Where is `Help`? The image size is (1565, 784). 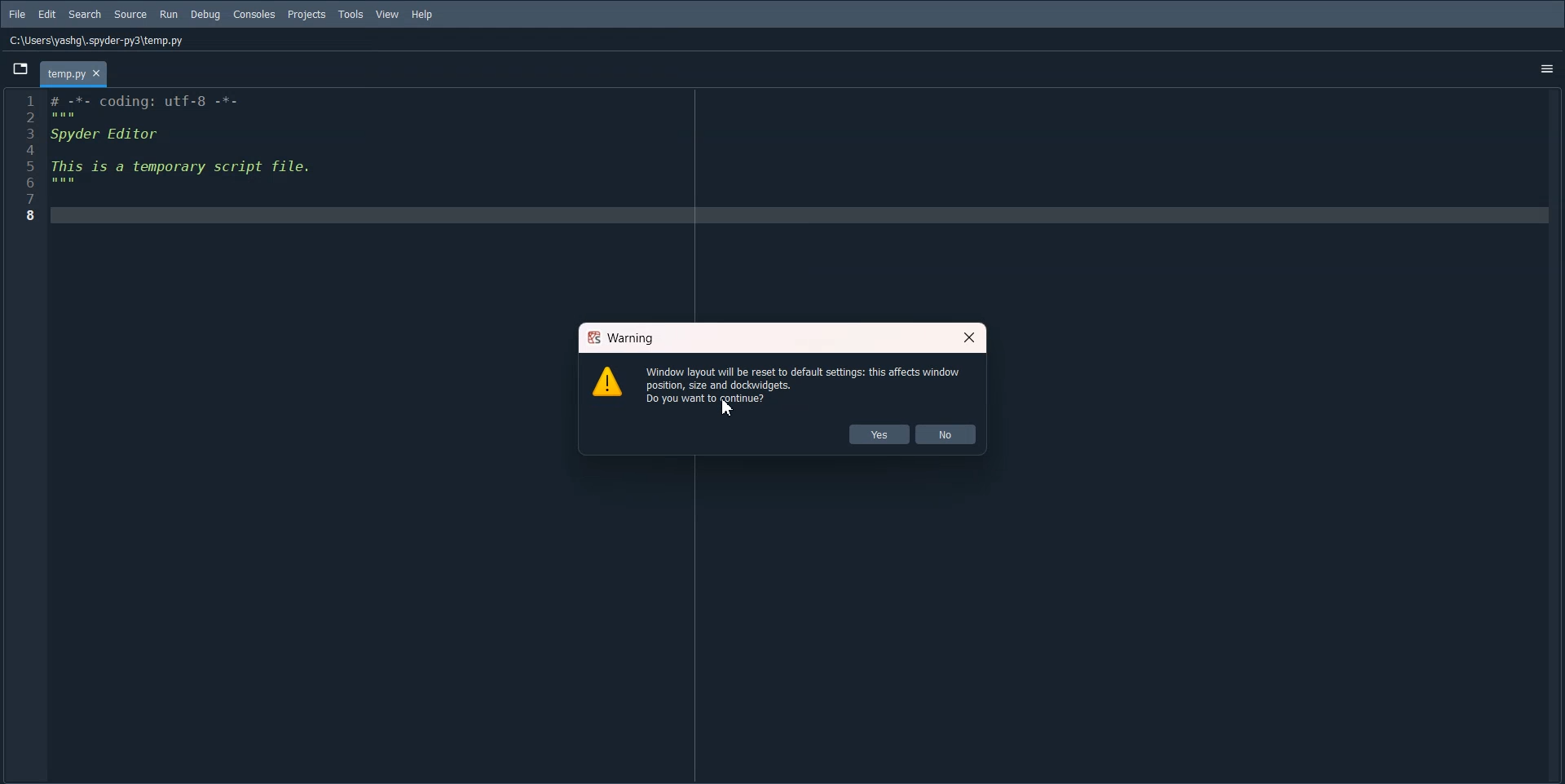 Help is located at coordinates (424, 15).